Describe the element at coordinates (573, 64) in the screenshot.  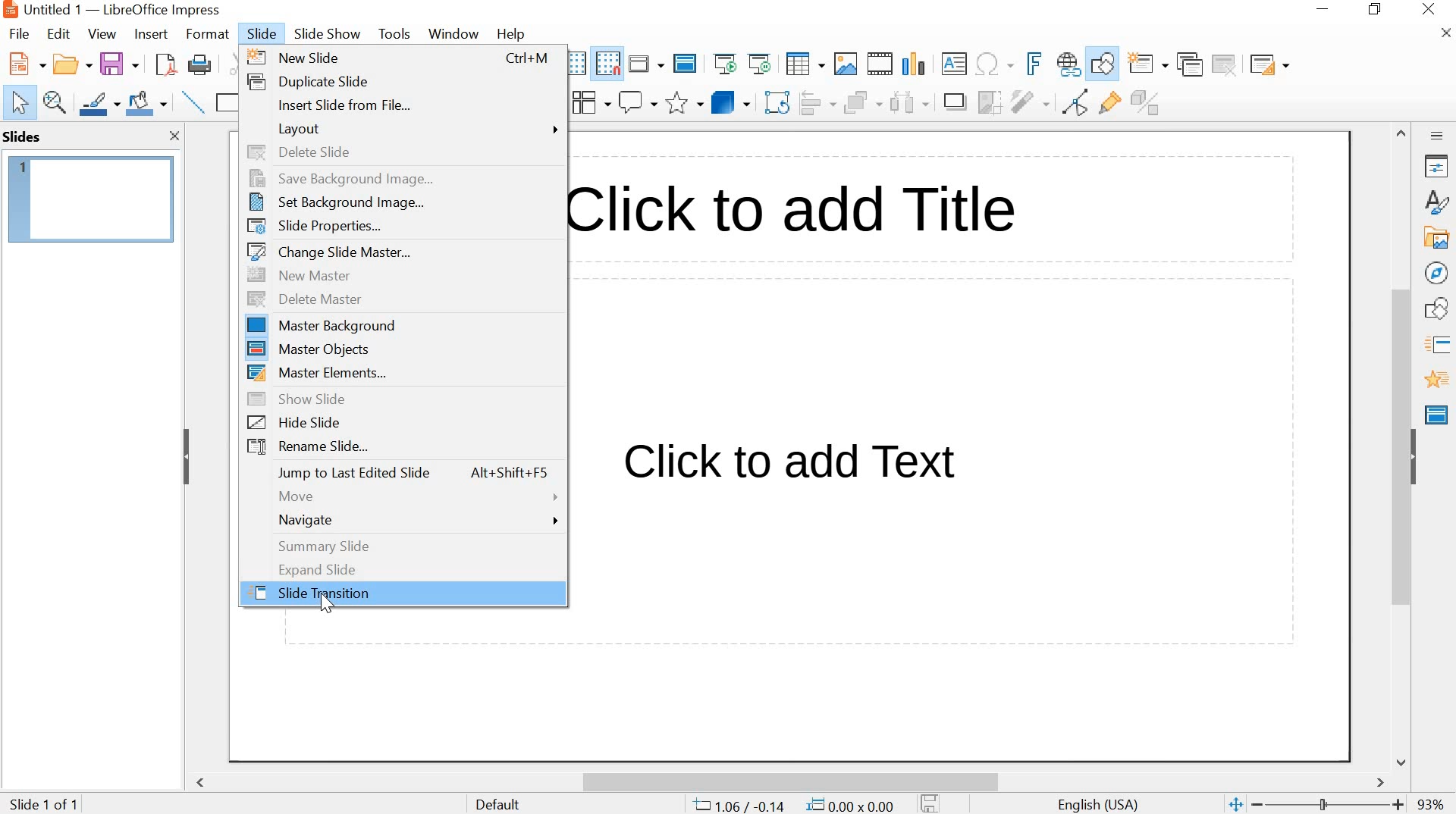
I see `Display grid` at that location.